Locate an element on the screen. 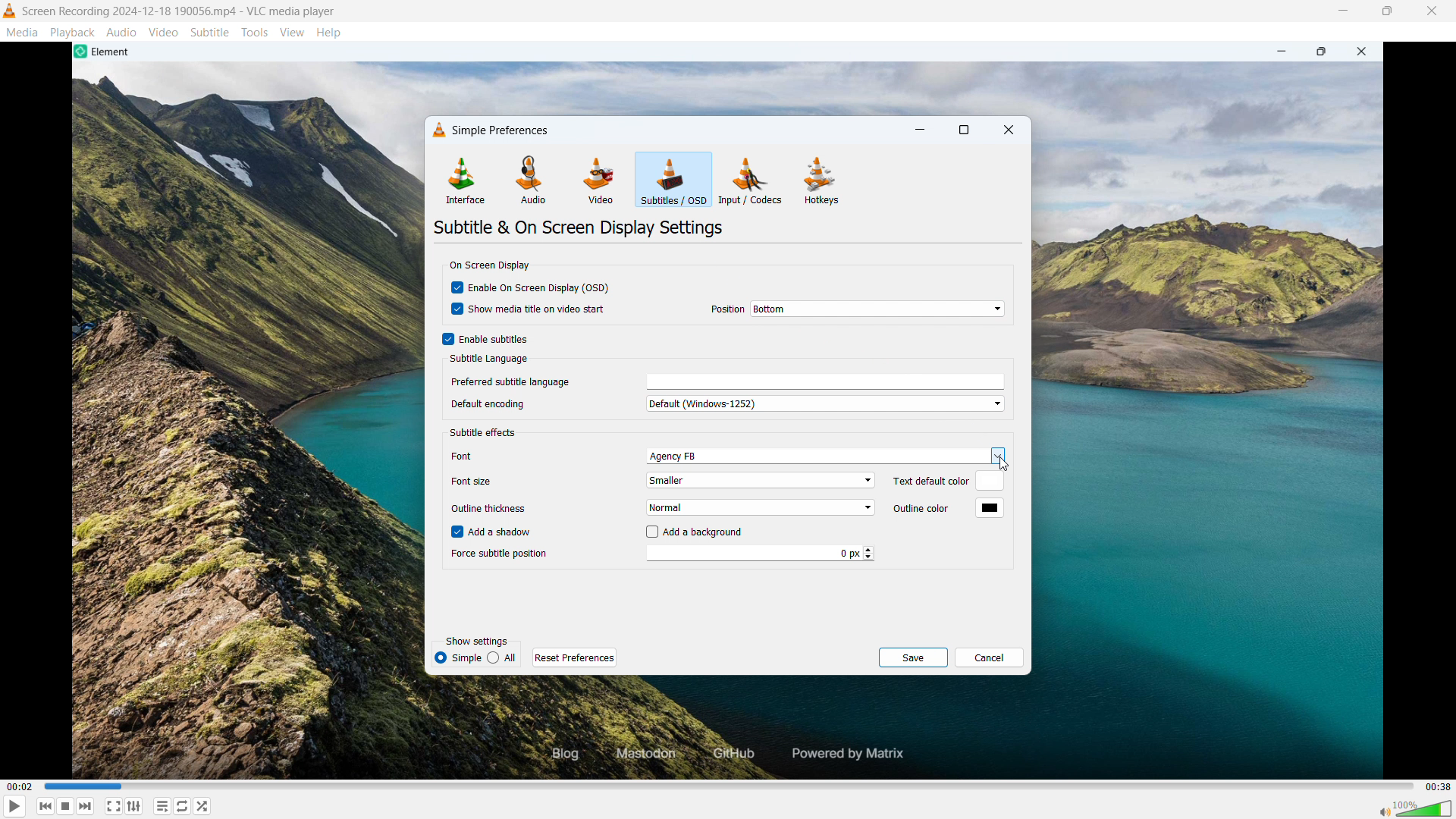 The width and height of the screenshot is (1456, 819). interface is located at coordinates (464, 180).